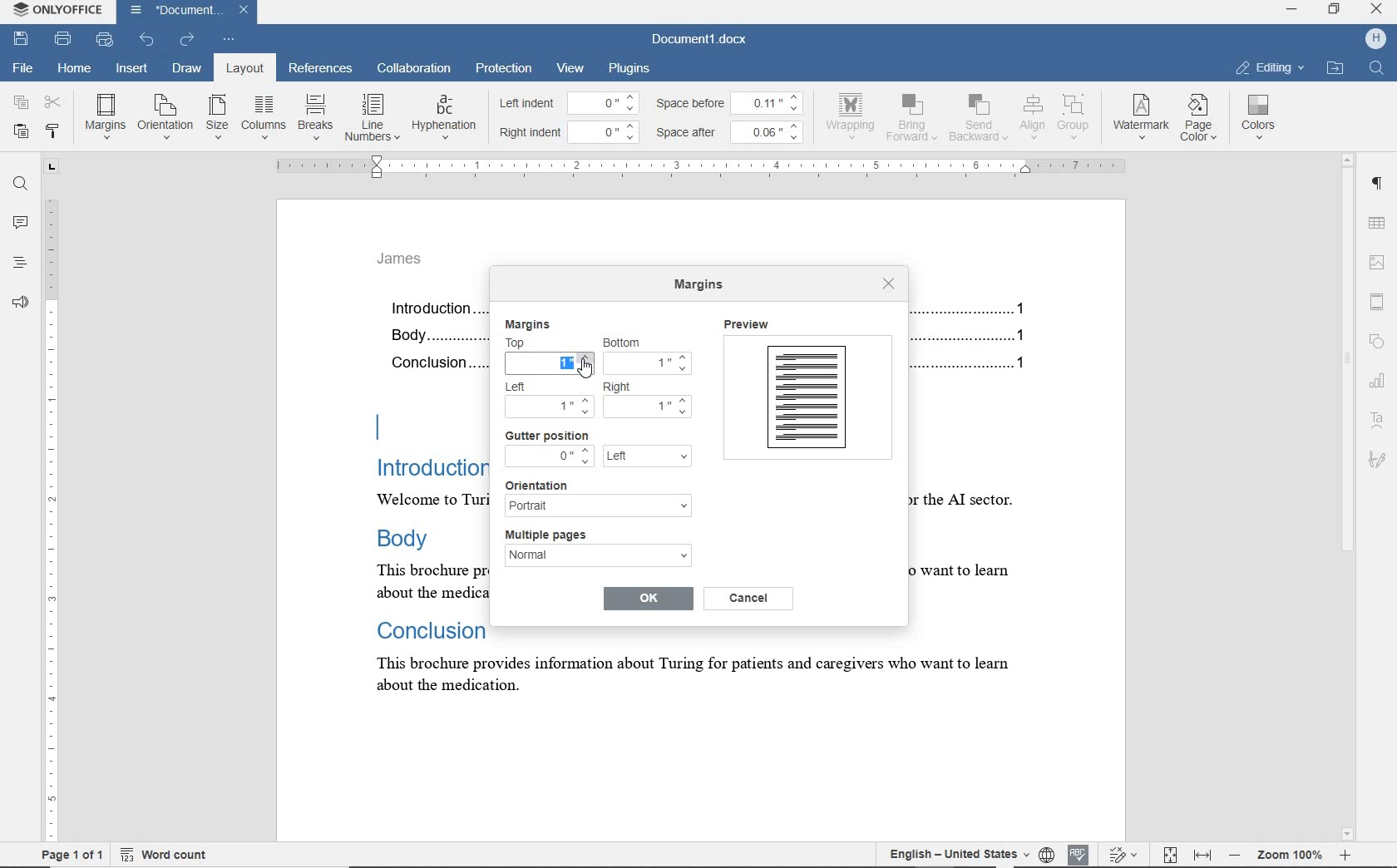 The image size is (1397, 868). Describe the element at coordinates (648, 597) in the screenshot. I see `ok` at that location.